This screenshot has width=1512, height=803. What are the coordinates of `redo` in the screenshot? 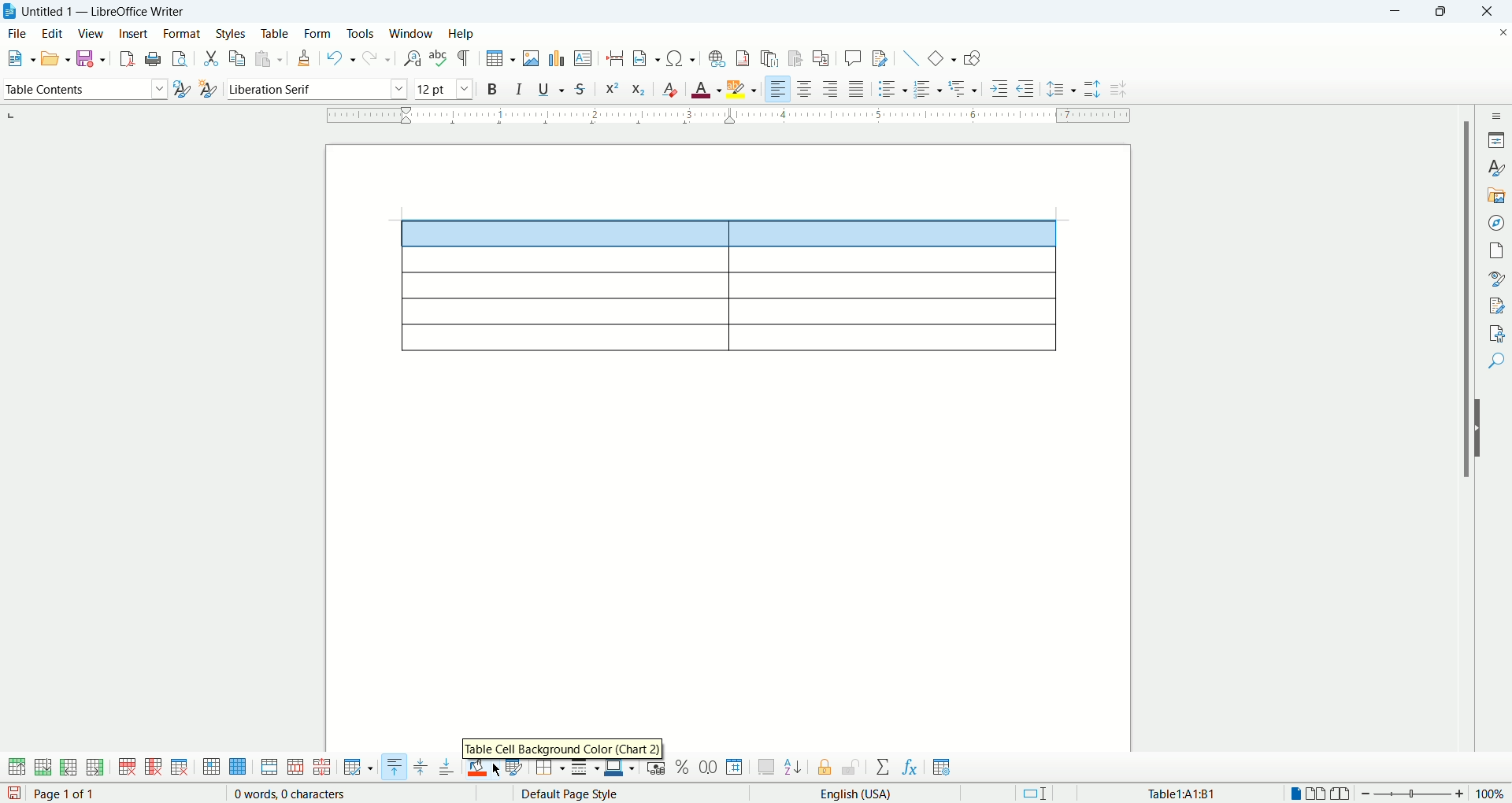 It's located at (378, 57).